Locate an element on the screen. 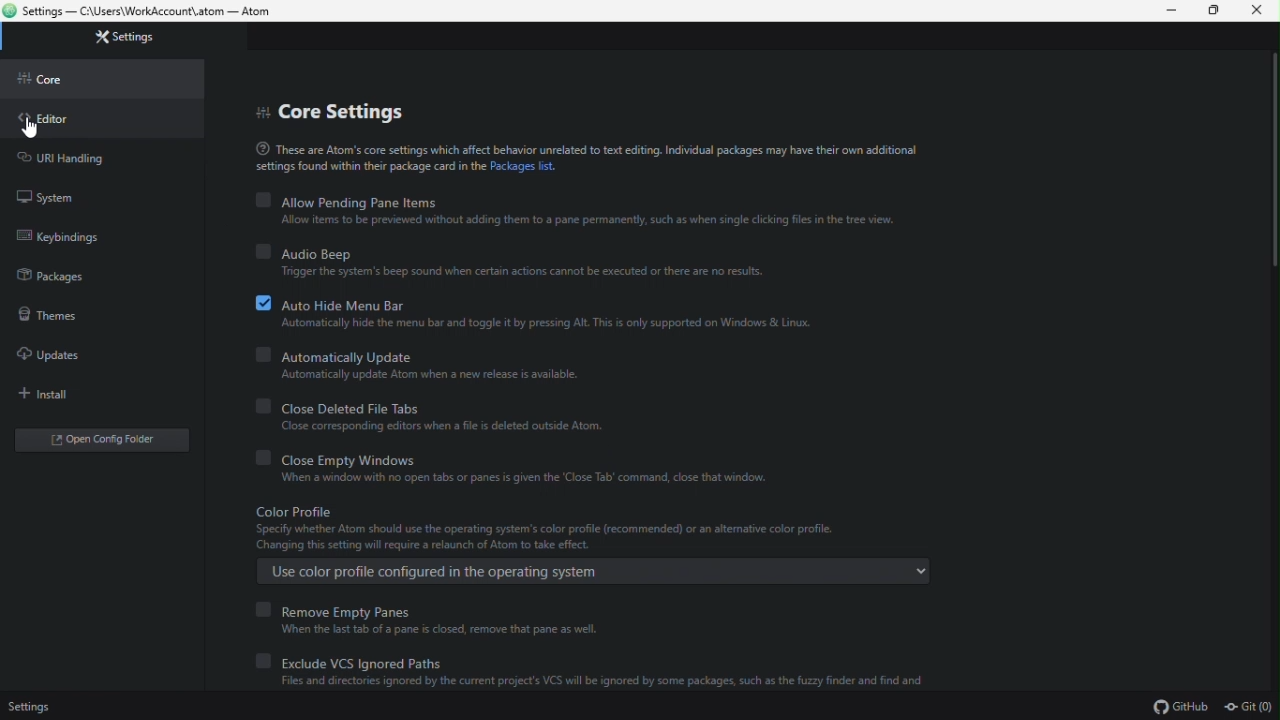 The height and width of the screenshot is (720, 1280). ‘When the last tab of a pane 5 closed, remove that pane as well. is located at coordinates (435, 629).